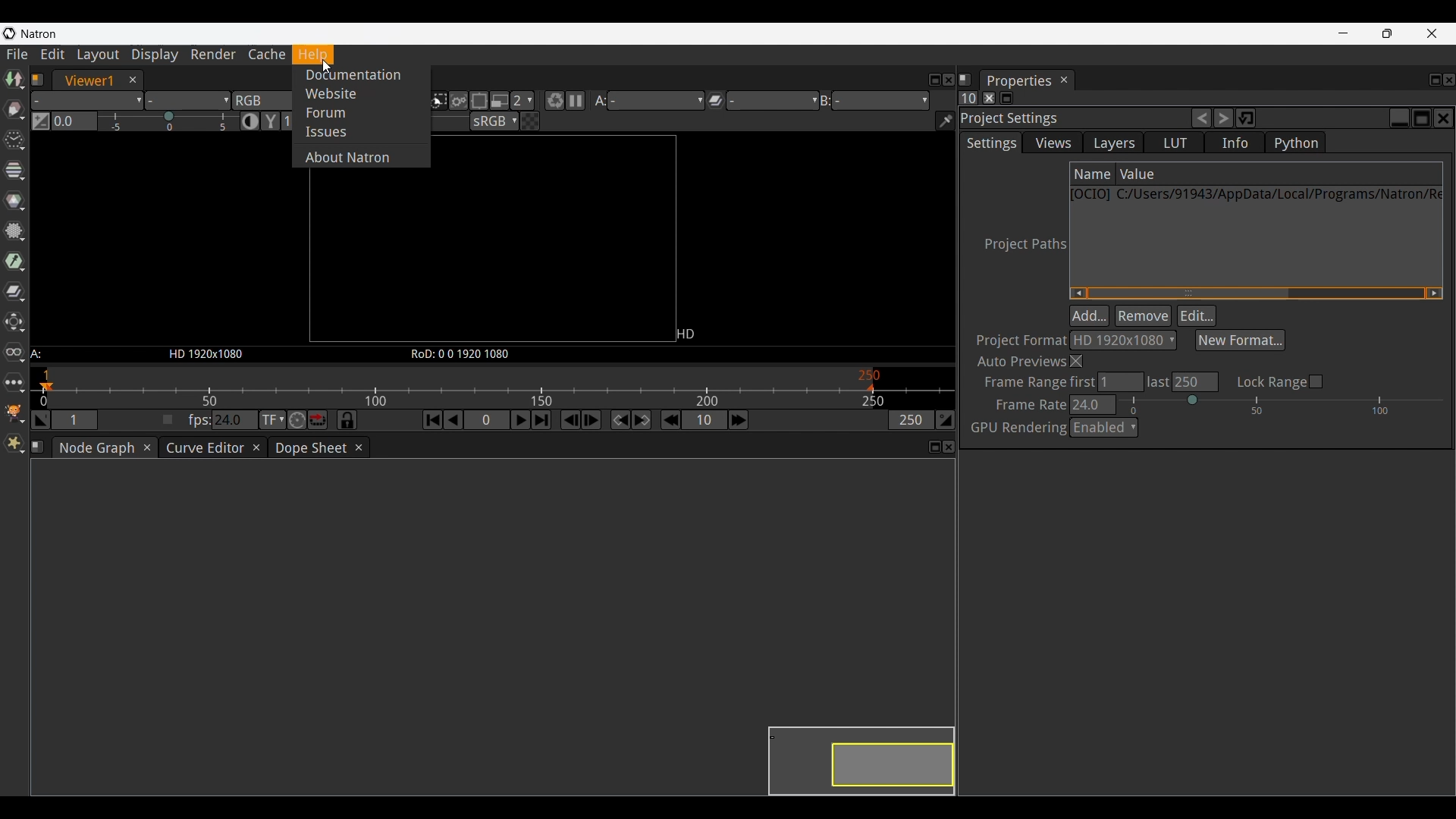  Describe the element at coordinates (74, 121) in the screenshot. I see `Type in gain` at that location.